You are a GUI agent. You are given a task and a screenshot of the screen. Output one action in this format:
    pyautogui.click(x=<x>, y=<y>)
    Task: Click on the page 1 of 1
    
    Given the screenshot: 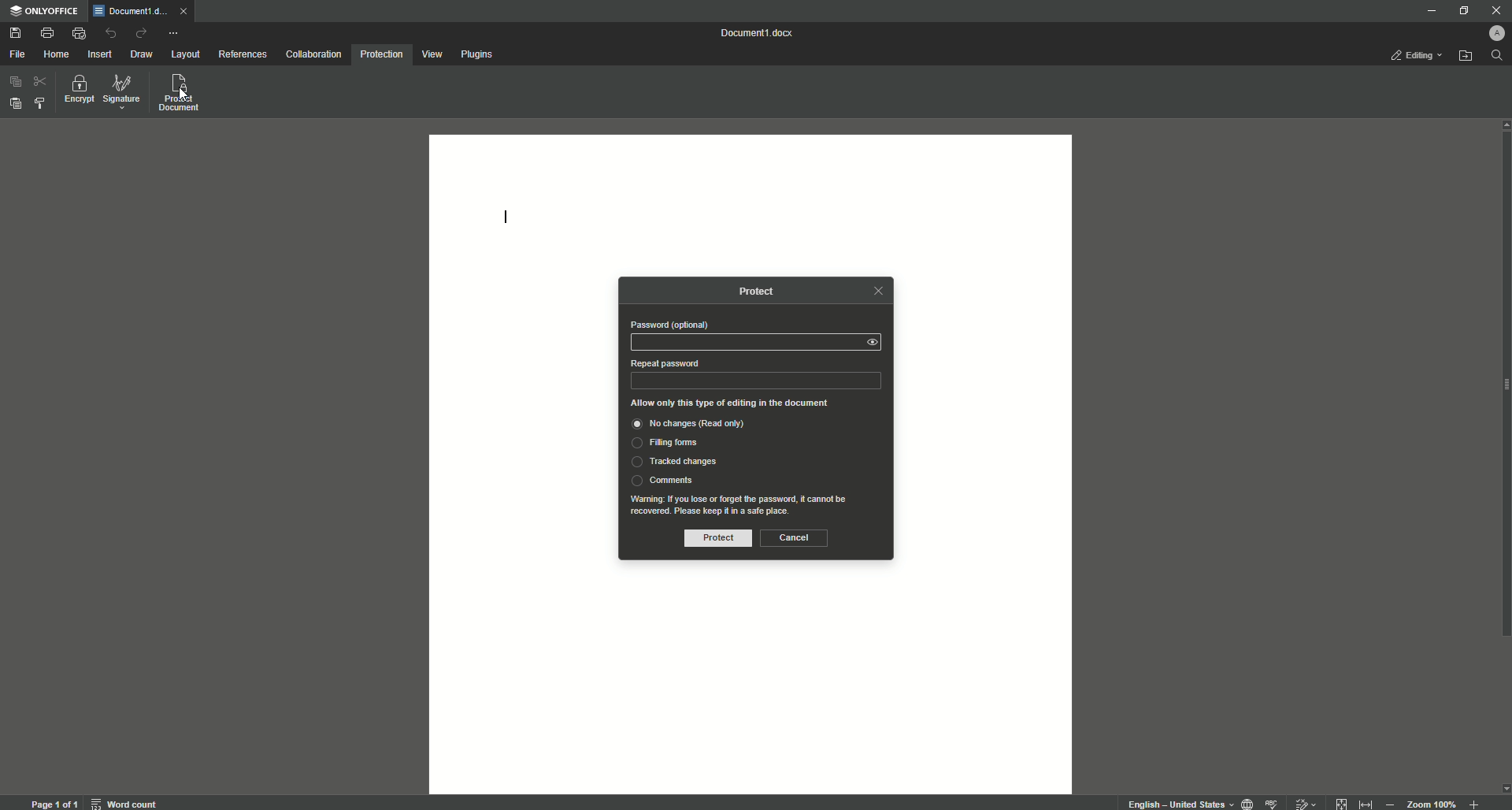 What is the action you would take?
    pyautogui.click(x=54, y=801)
    